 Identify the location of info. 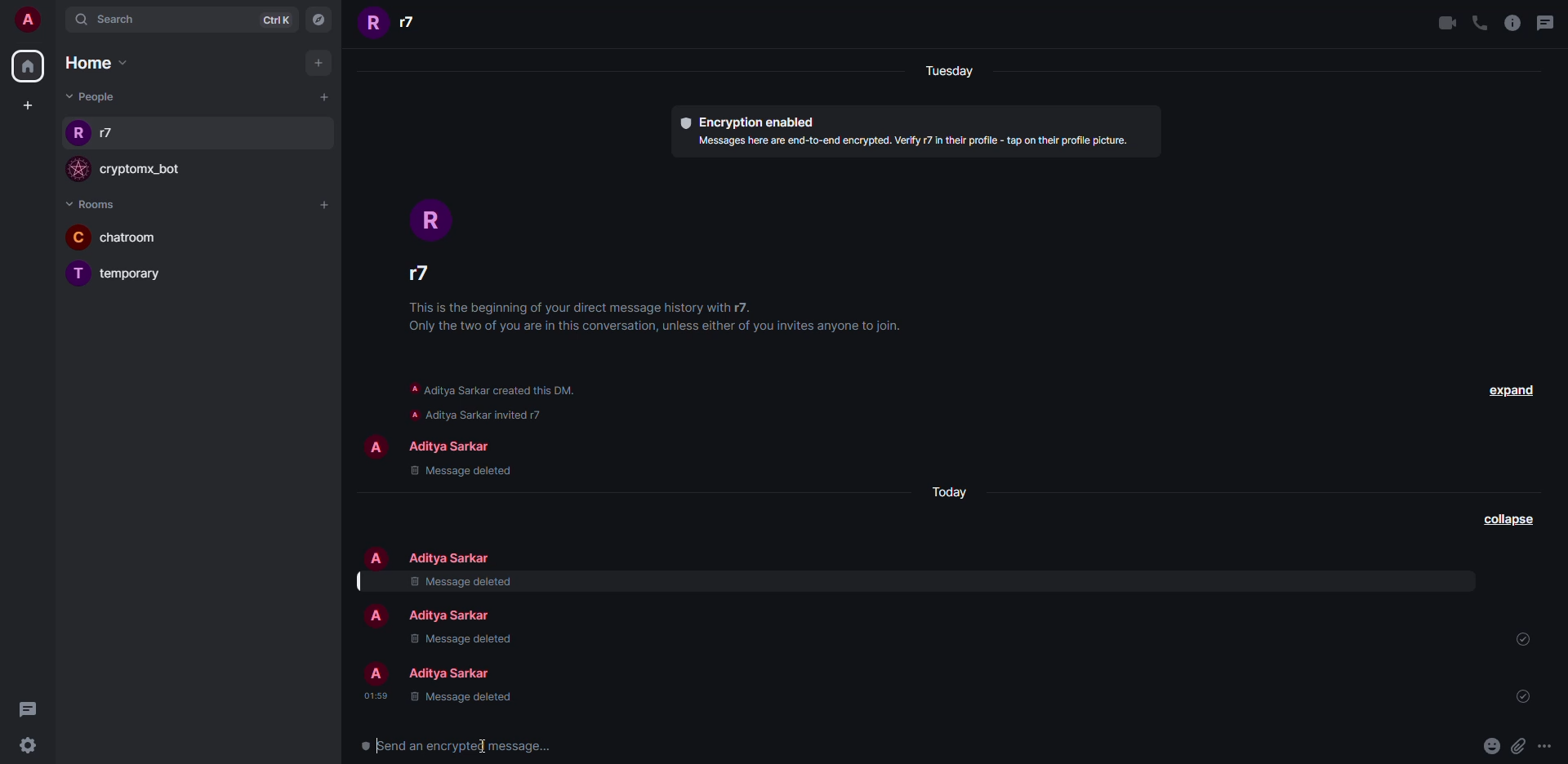
(663, 319).